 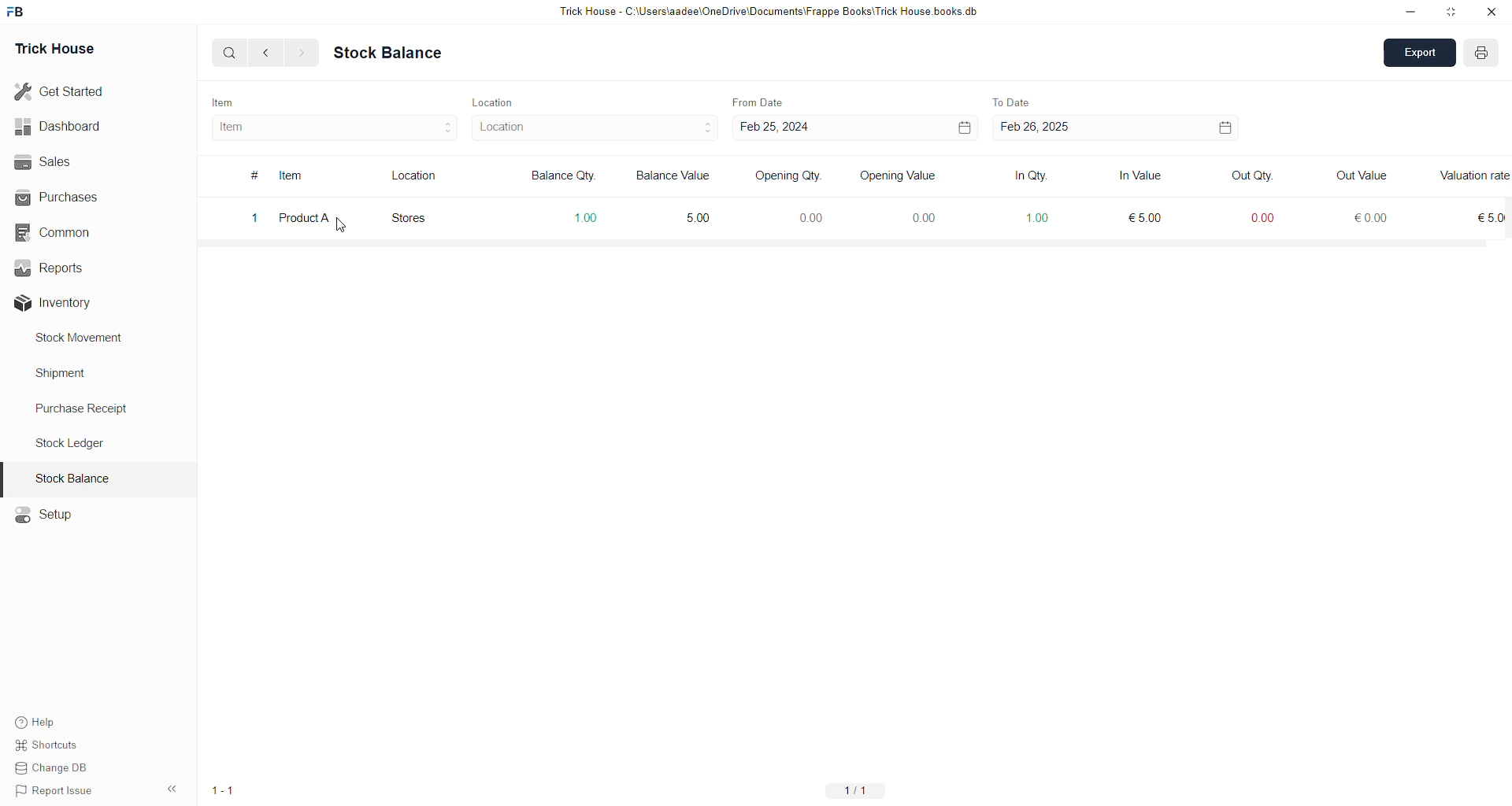 I want to click on In Qty, so click(x=1030, y=176).